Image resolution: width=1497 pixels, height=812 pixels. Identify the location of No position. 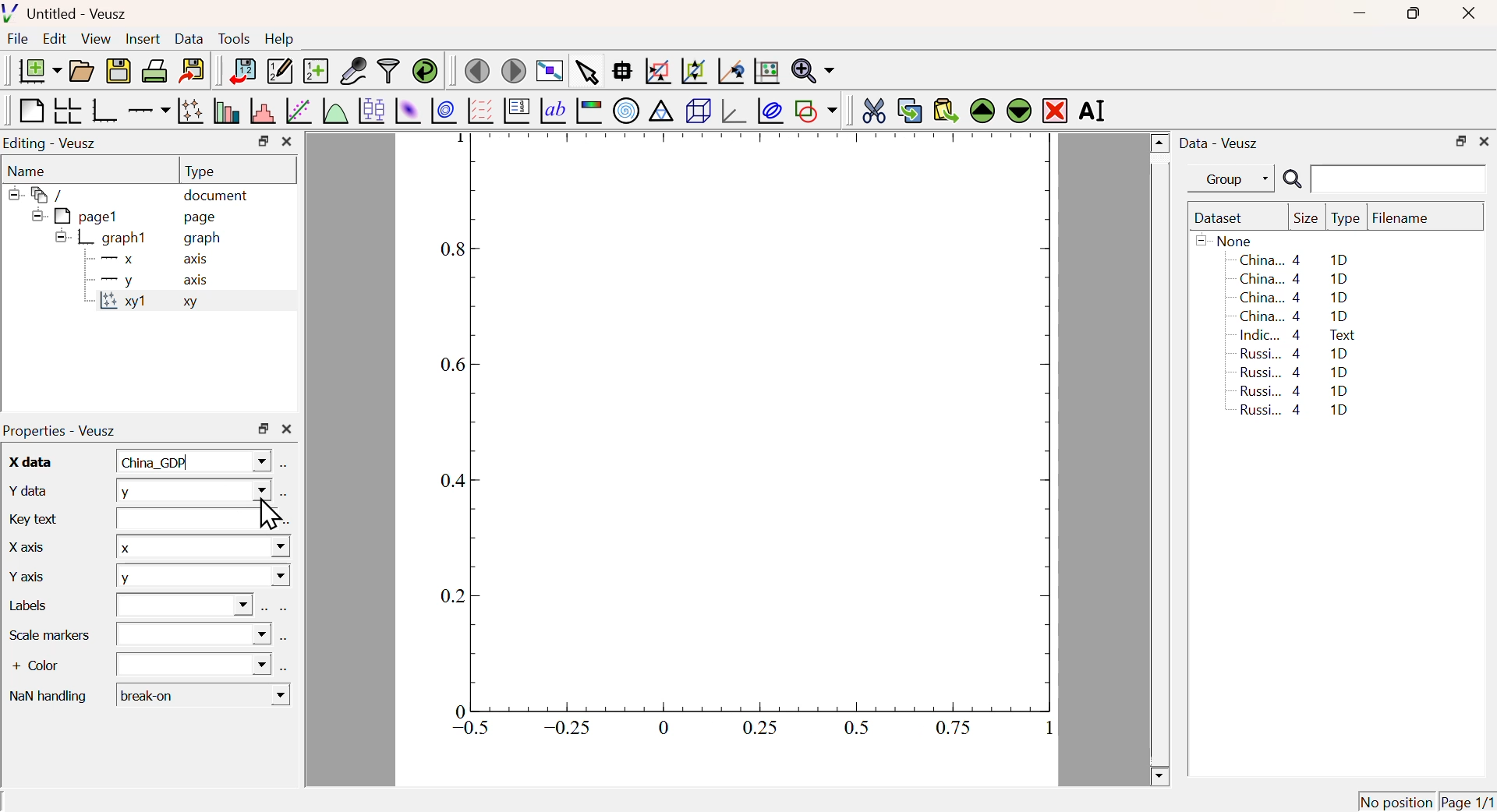
(1396, 800).